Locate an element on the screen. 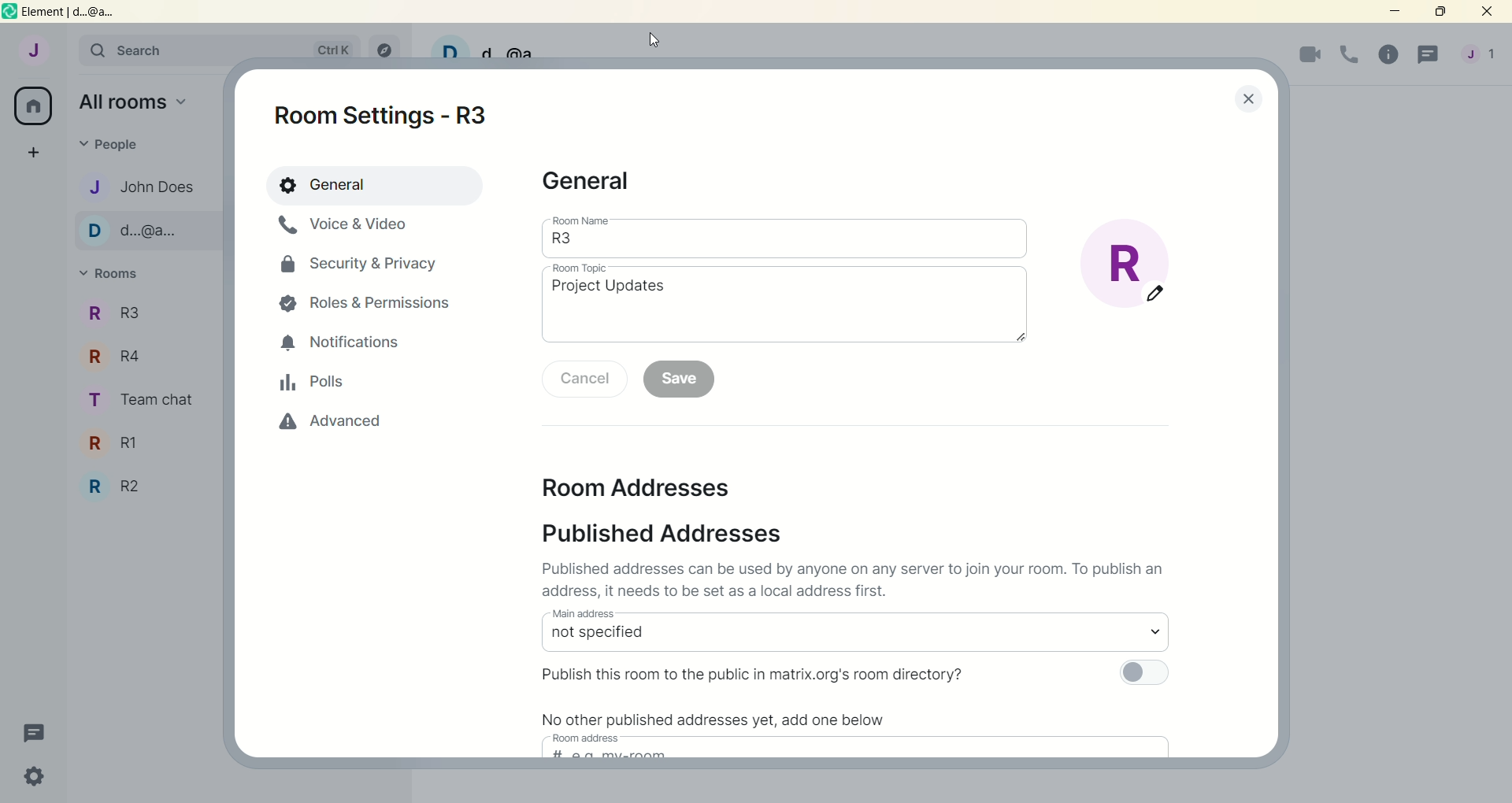 The image size is (1512, 803). room addresses is located at coordinates (637, 490).